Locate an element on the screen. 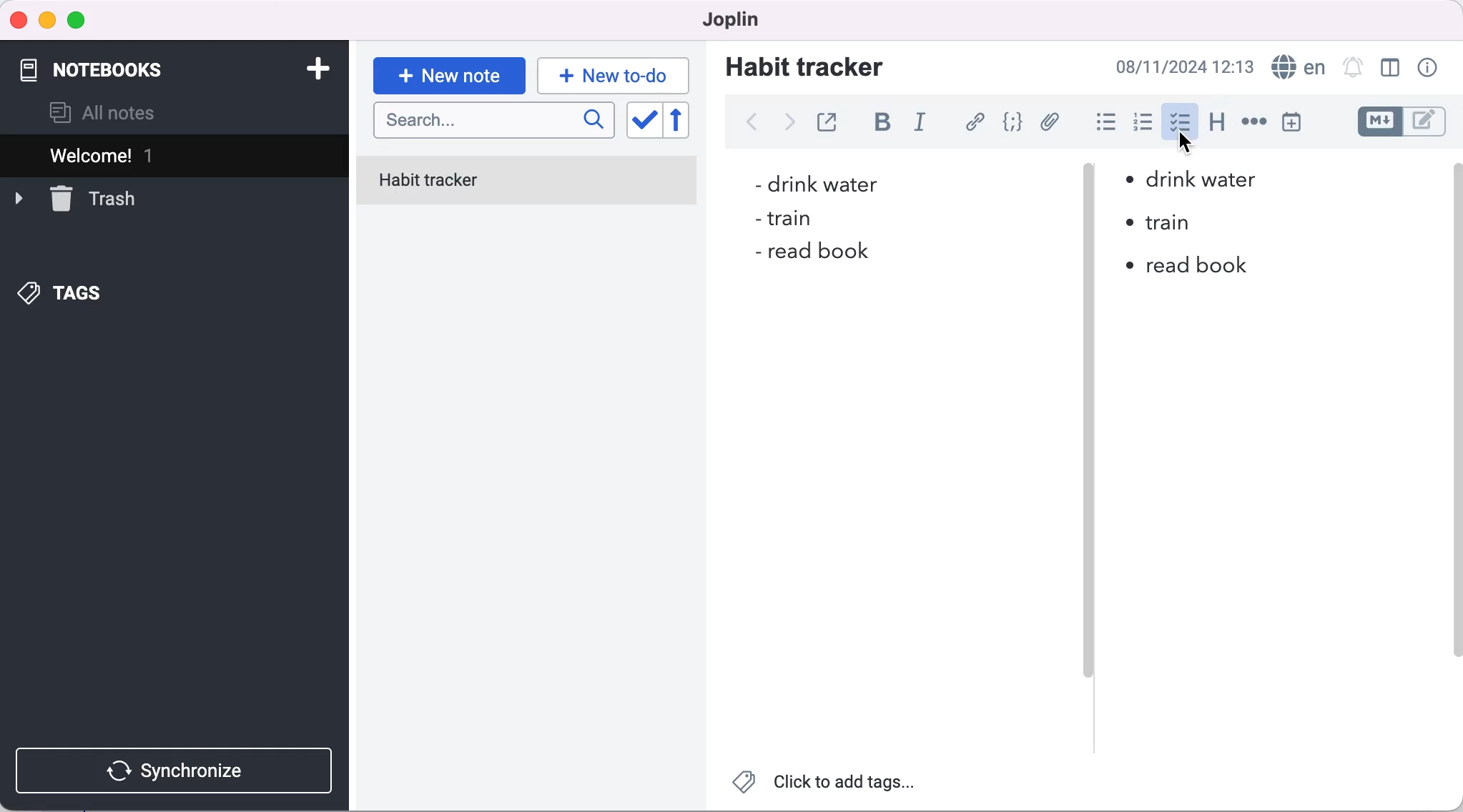 The width and height of the screenshot is (1463, 812). back is located at coordinates (751, 122).